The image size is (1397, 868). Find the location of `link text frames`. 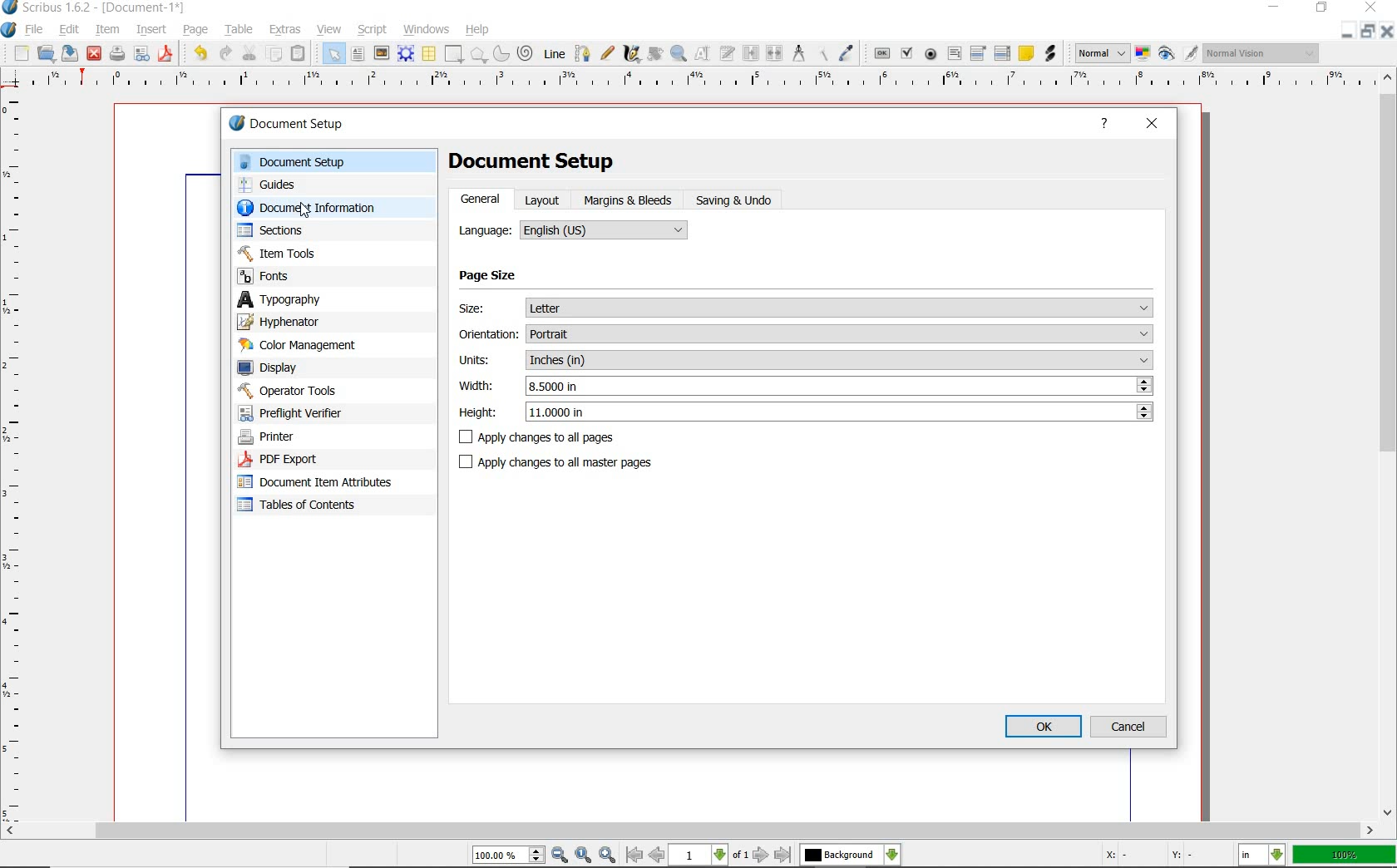

link text frames is located at coordinates (751, 54).